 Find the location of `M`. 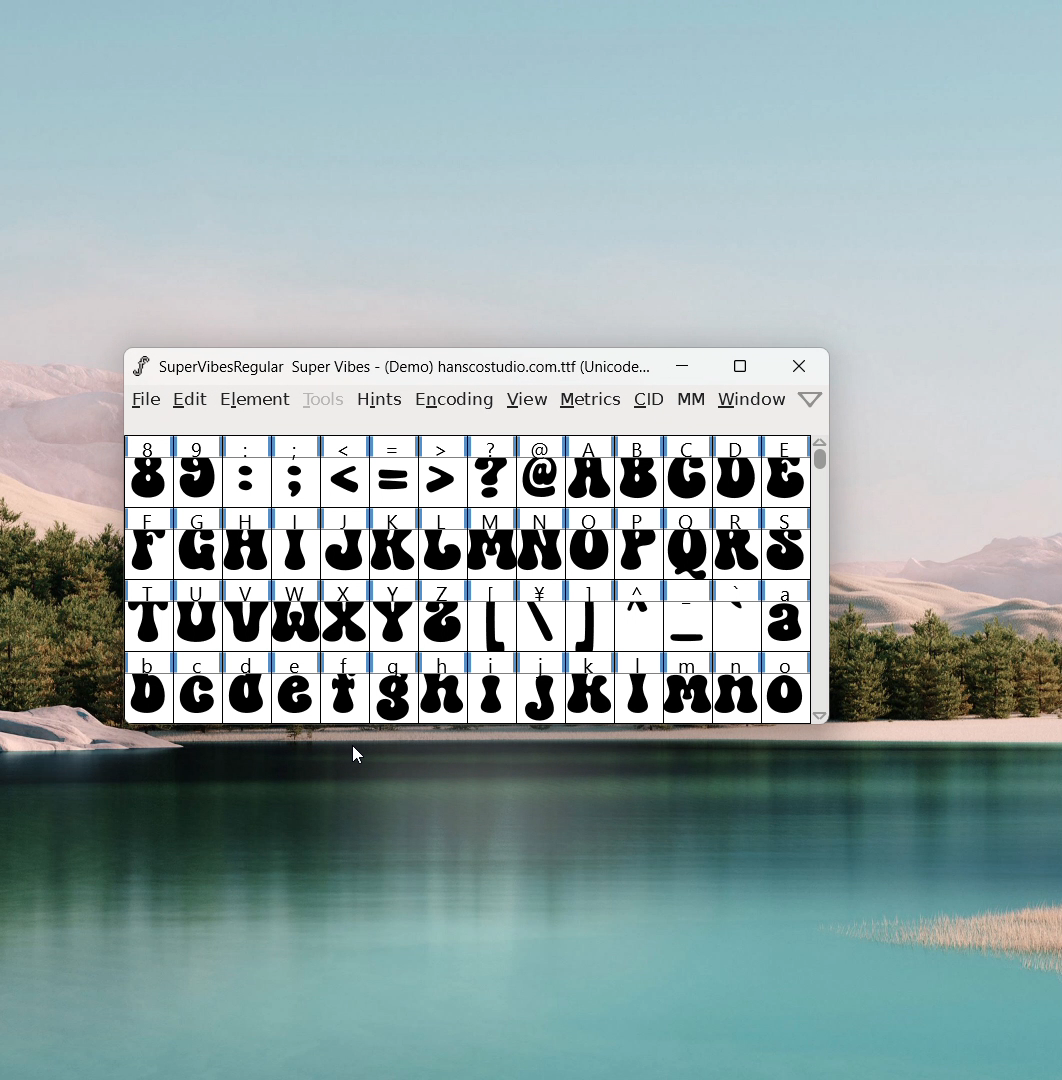

M is located at coordinates (493, 543).